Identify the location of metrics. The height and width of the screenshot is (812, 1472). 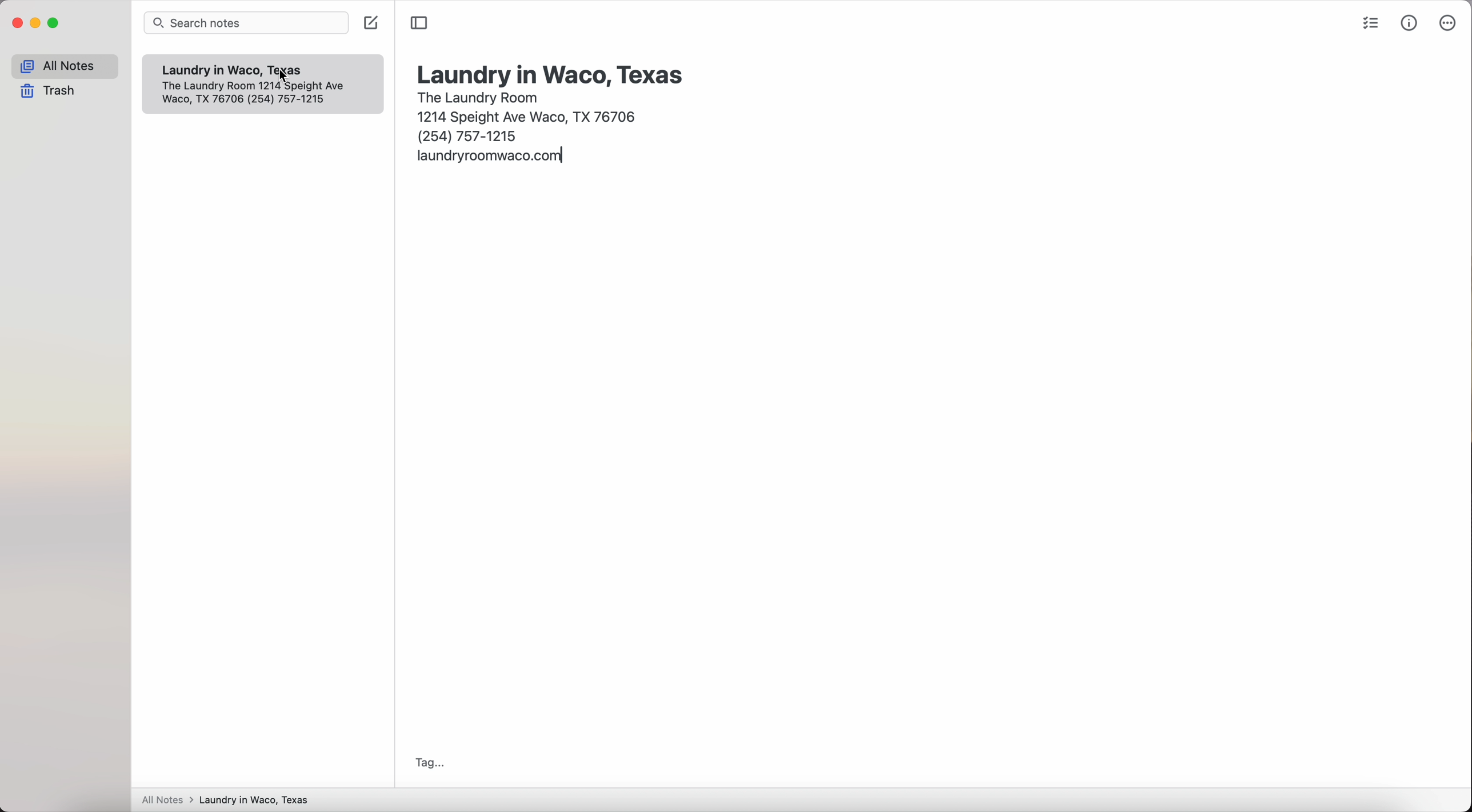
(1410, 22).